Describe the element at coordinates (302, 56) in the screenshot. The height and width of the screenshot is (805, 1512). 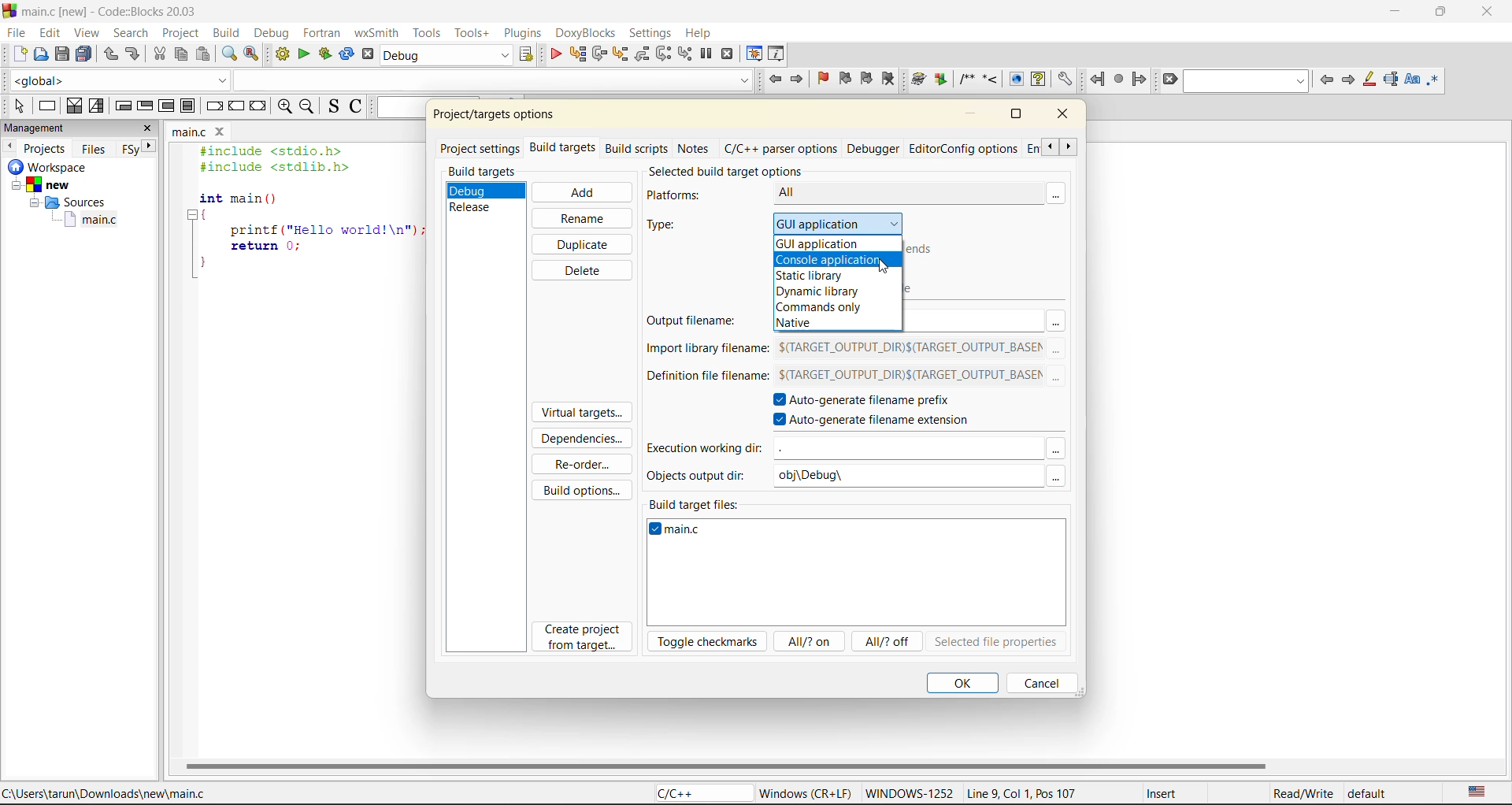
I see `run` at that location.